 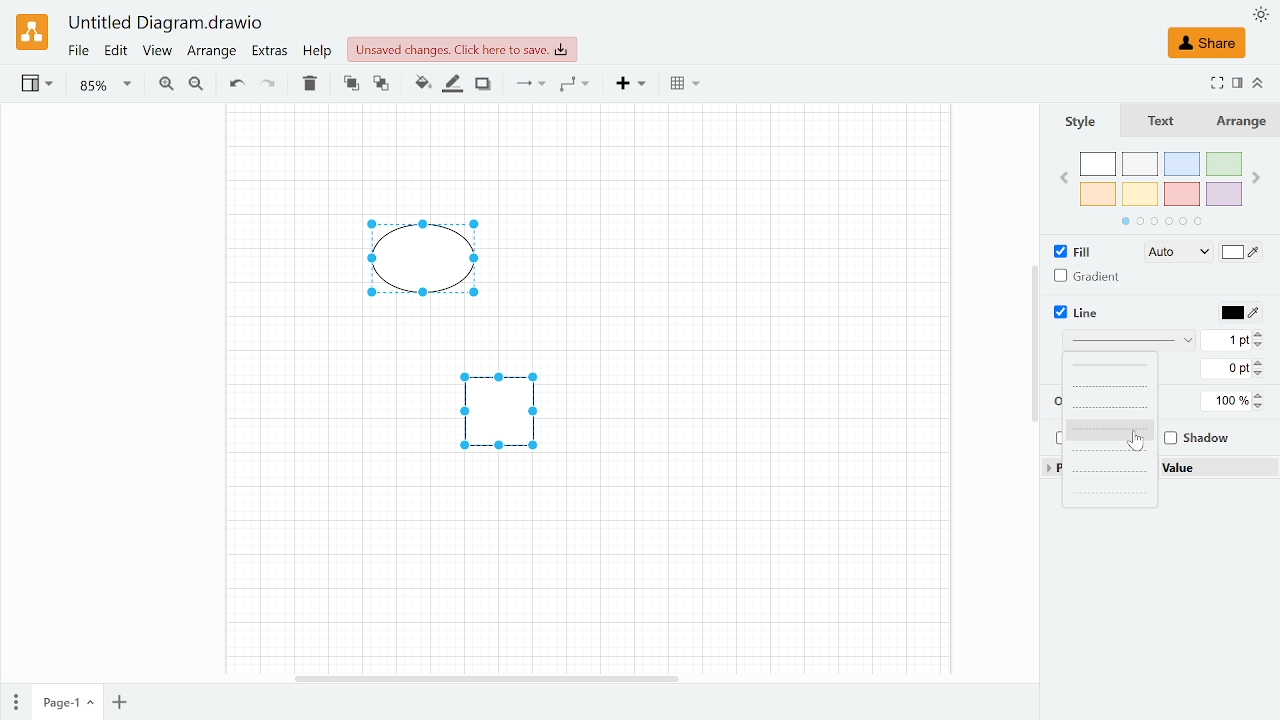 What do you see at coordinates (1108, 450) in the screenshot?
I see `Dotted 1` at bounding box center [1108, 450].